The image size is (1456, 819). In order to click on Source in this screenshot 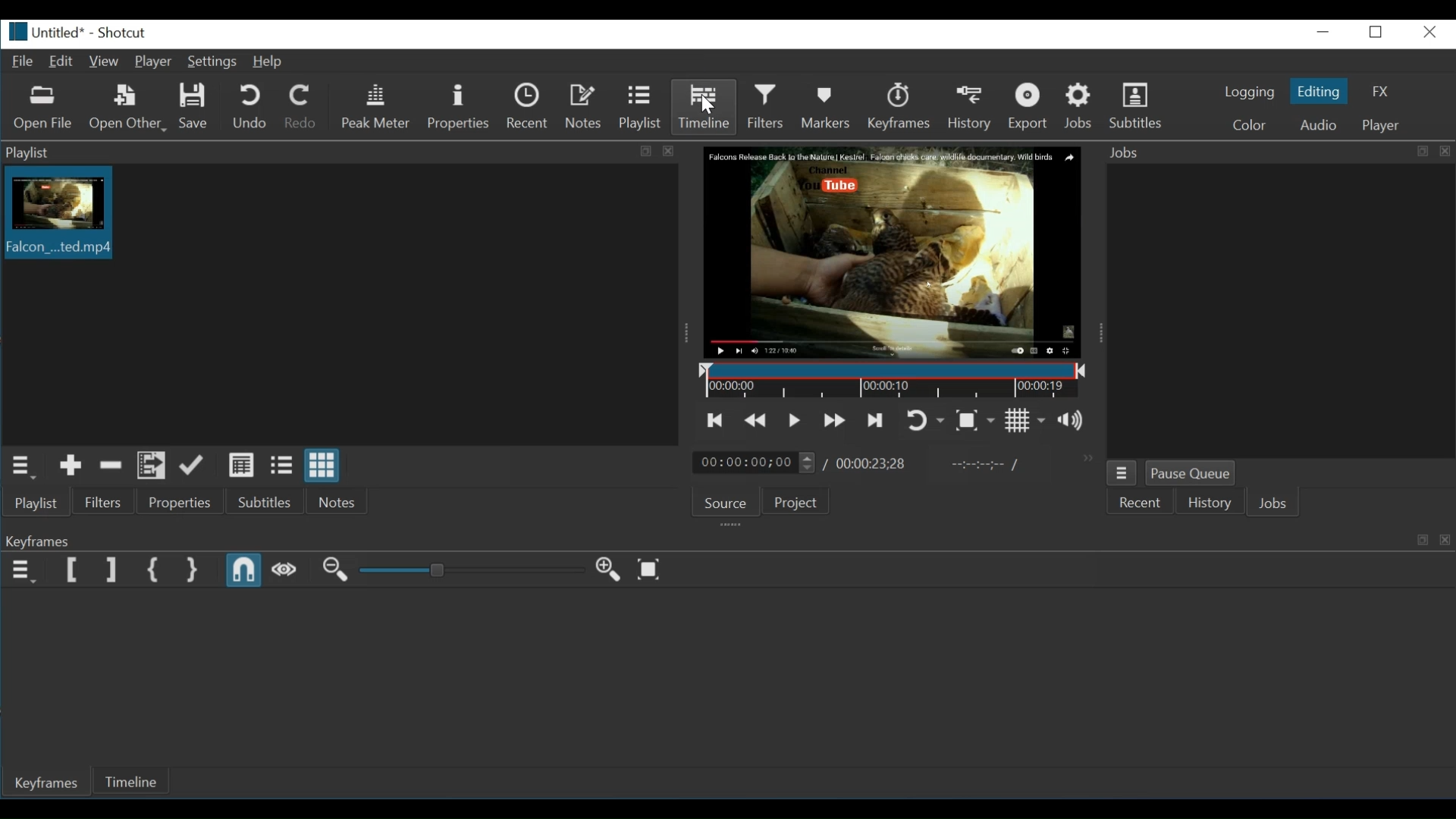, I will do `click(726, 504)`.